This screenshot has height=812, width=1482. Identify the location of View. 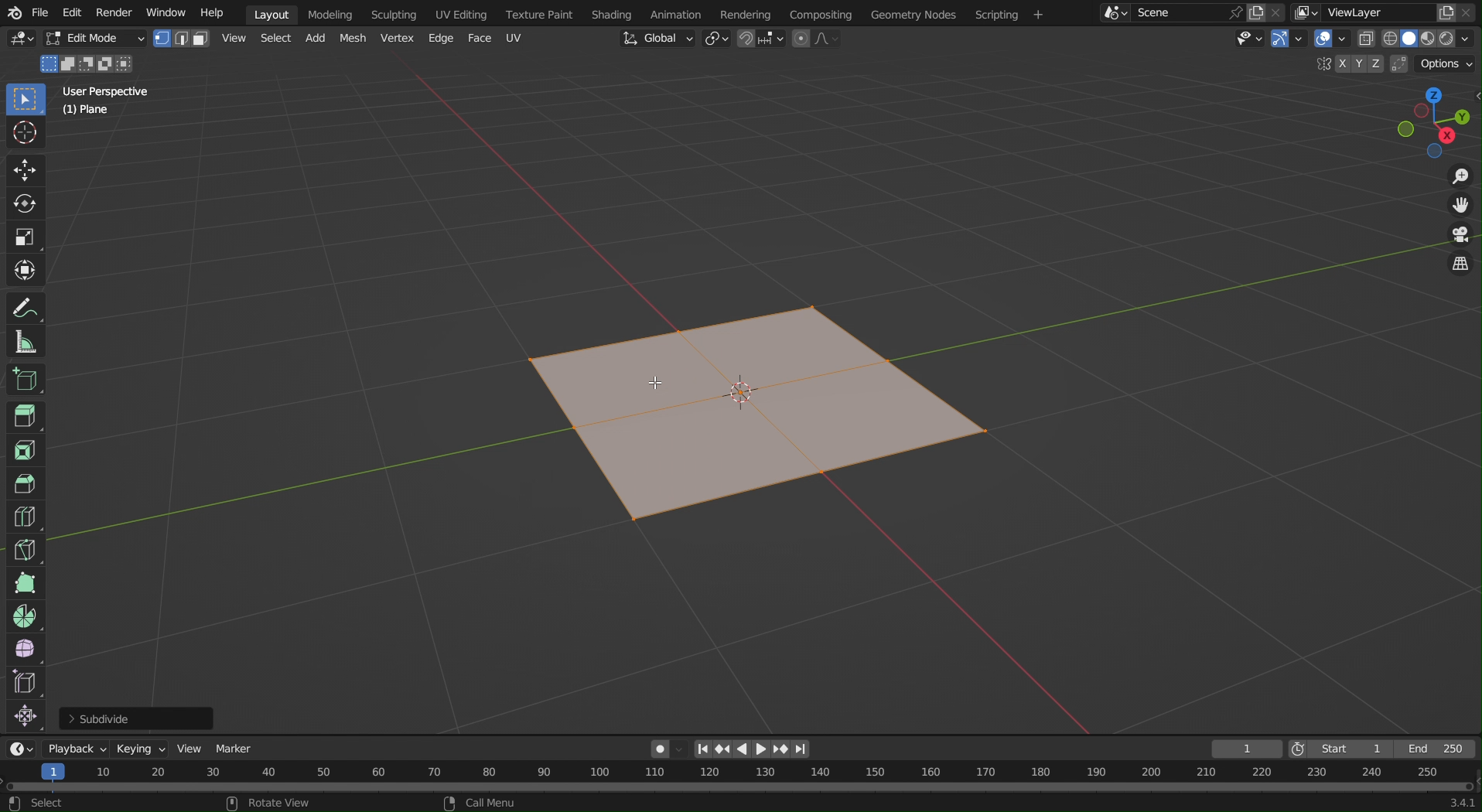
(233, 38).